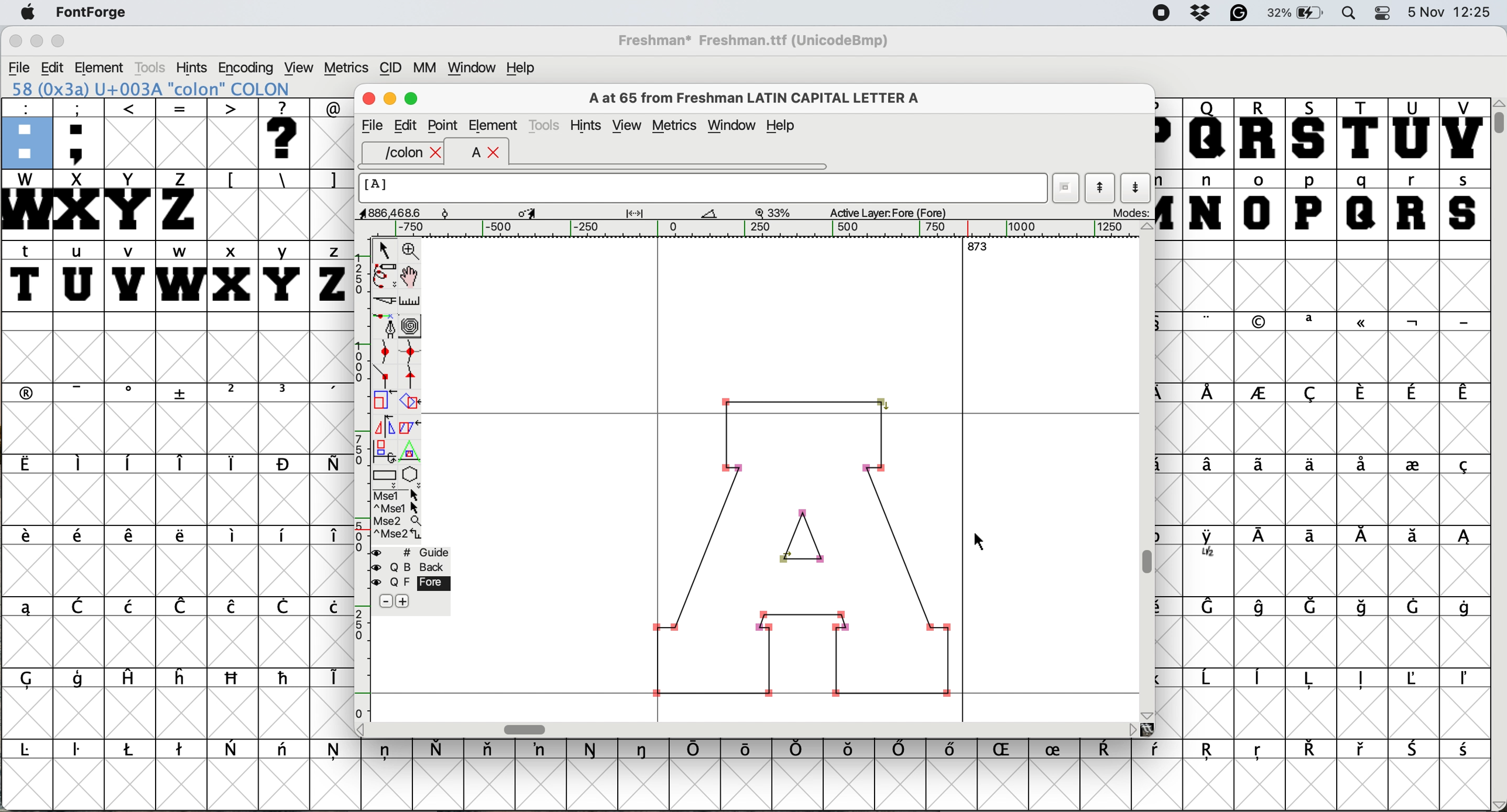  What do you see at coordinates (398, 534) in the screenshot?
I see `^Mse2` at bounding box center [398, 534].